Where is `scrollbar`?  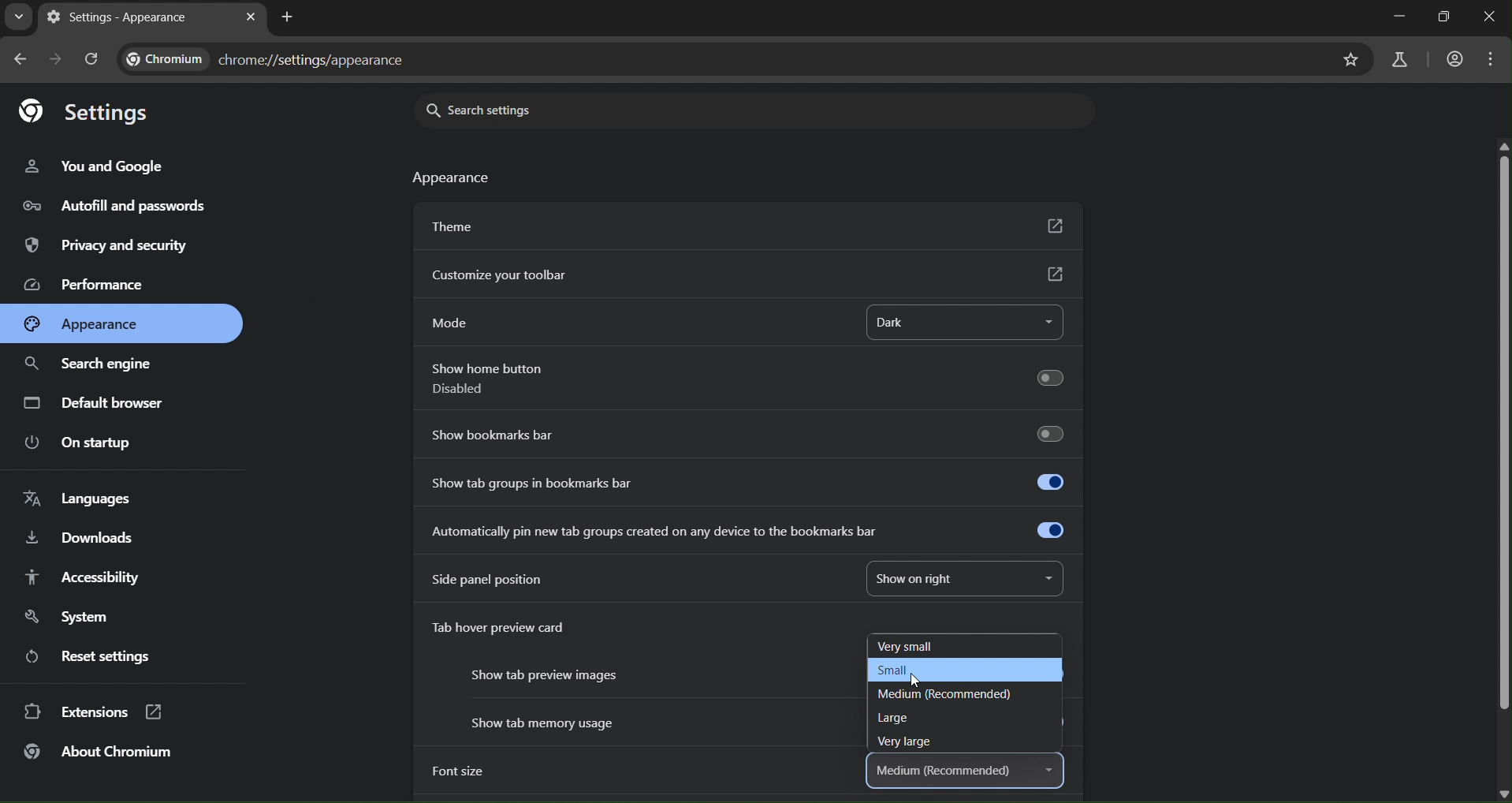 scrollbar is located at coordinates (1498, 425).